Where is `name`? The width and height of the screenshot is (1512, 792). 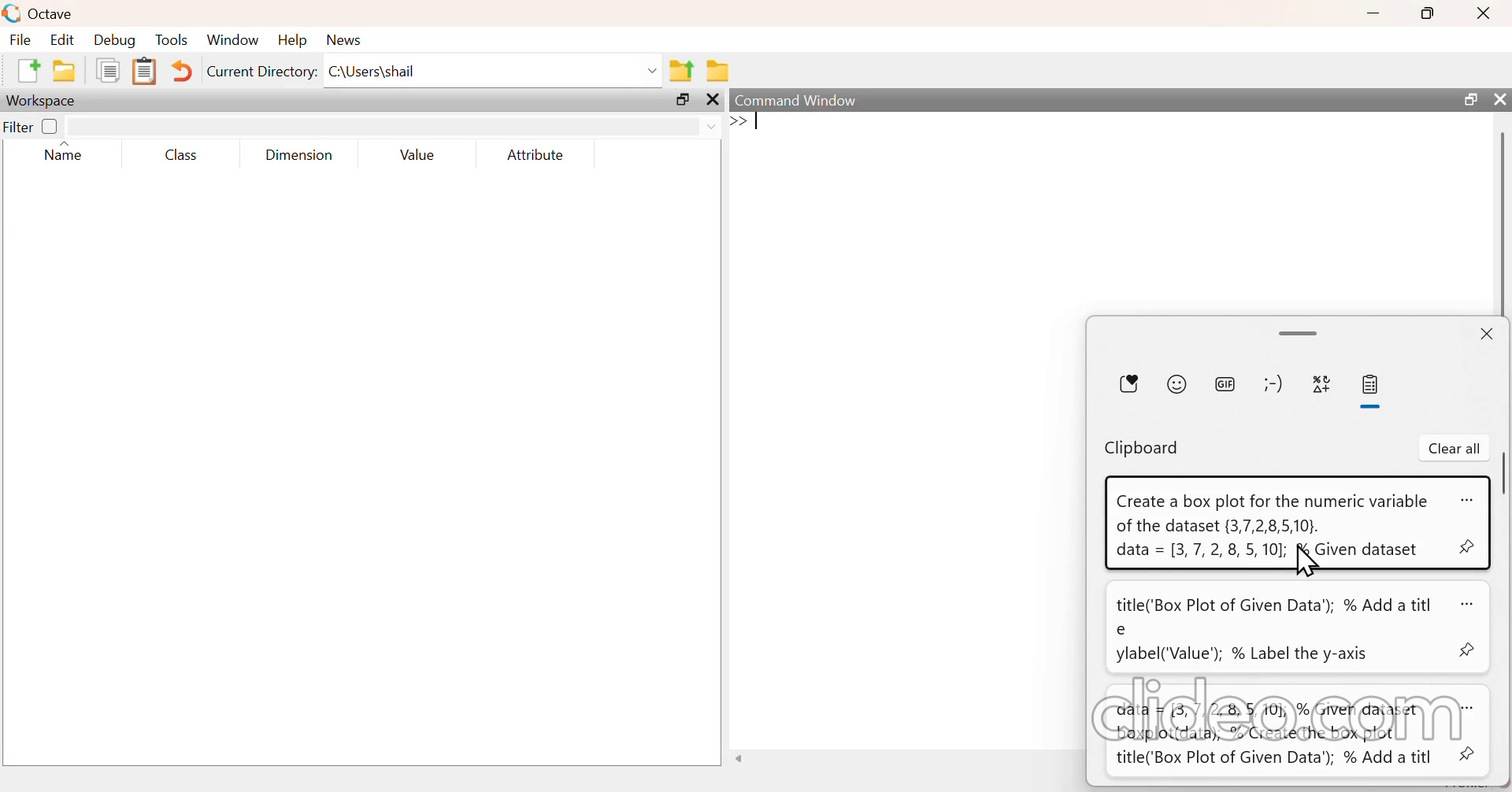 name is located at coordinates (60, 155).